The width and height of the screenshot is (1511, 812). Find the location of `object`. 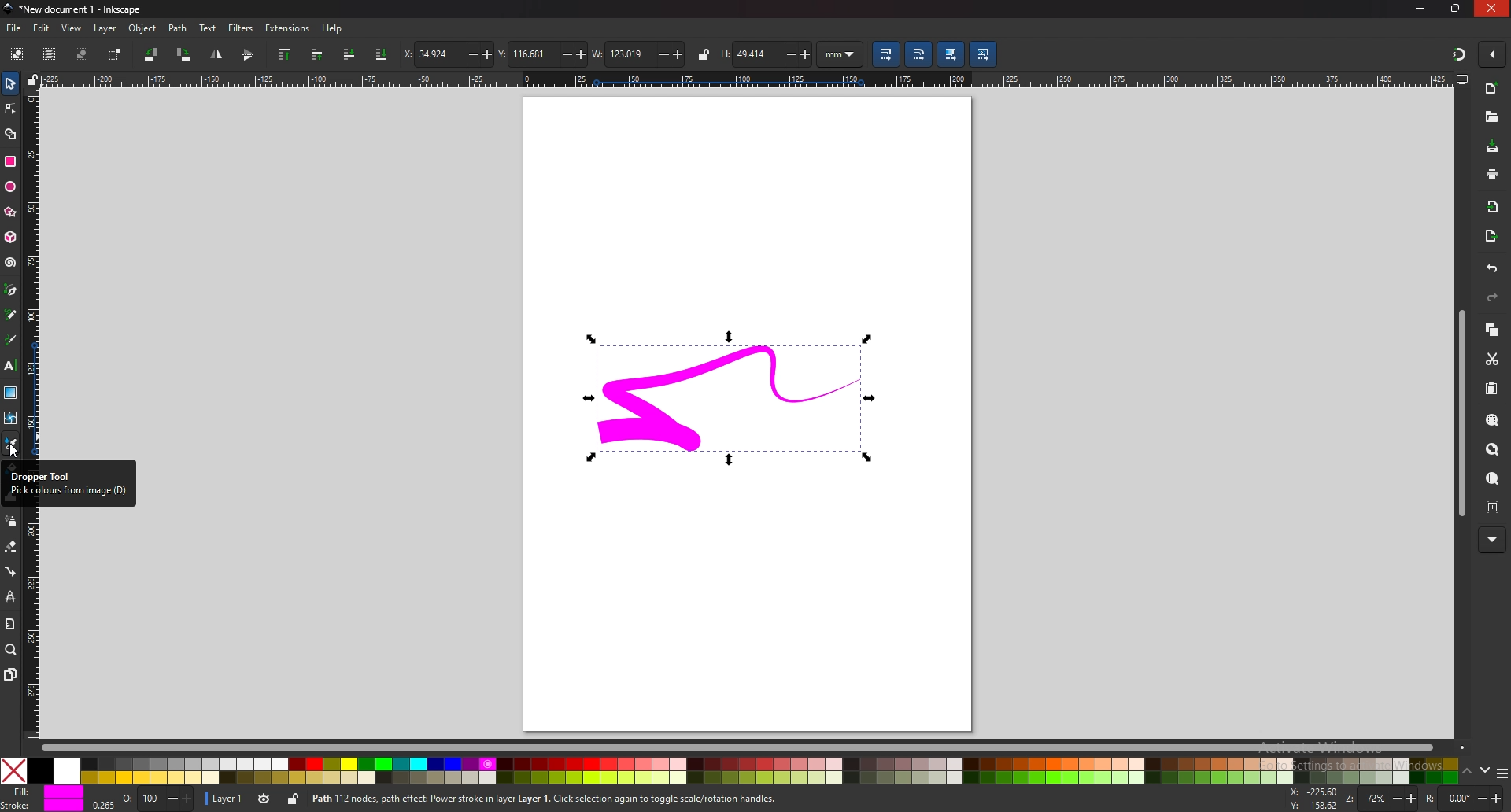

object is located at coordinates (146, 28).